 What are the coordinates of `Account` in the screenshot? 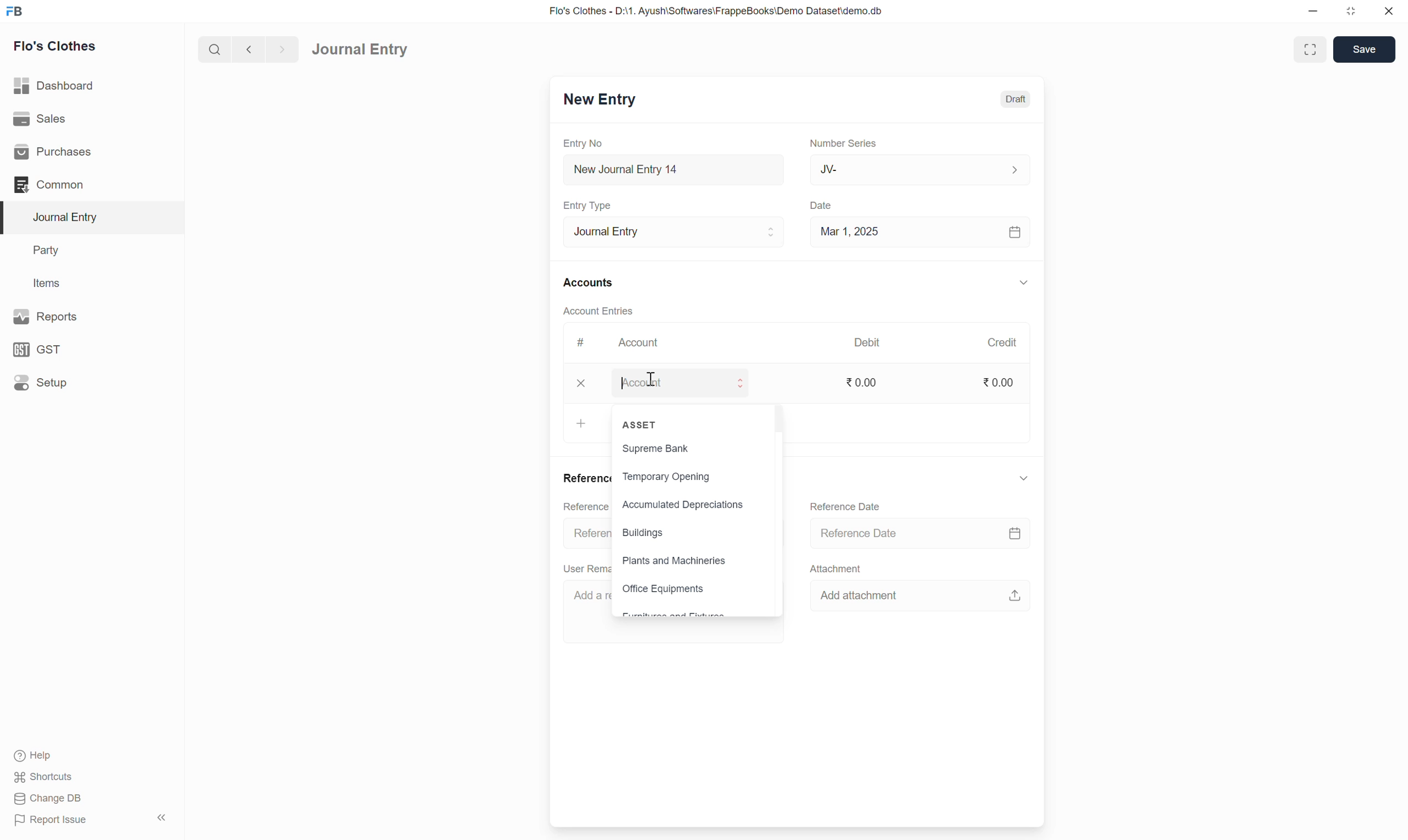 It's located at (640, 342).